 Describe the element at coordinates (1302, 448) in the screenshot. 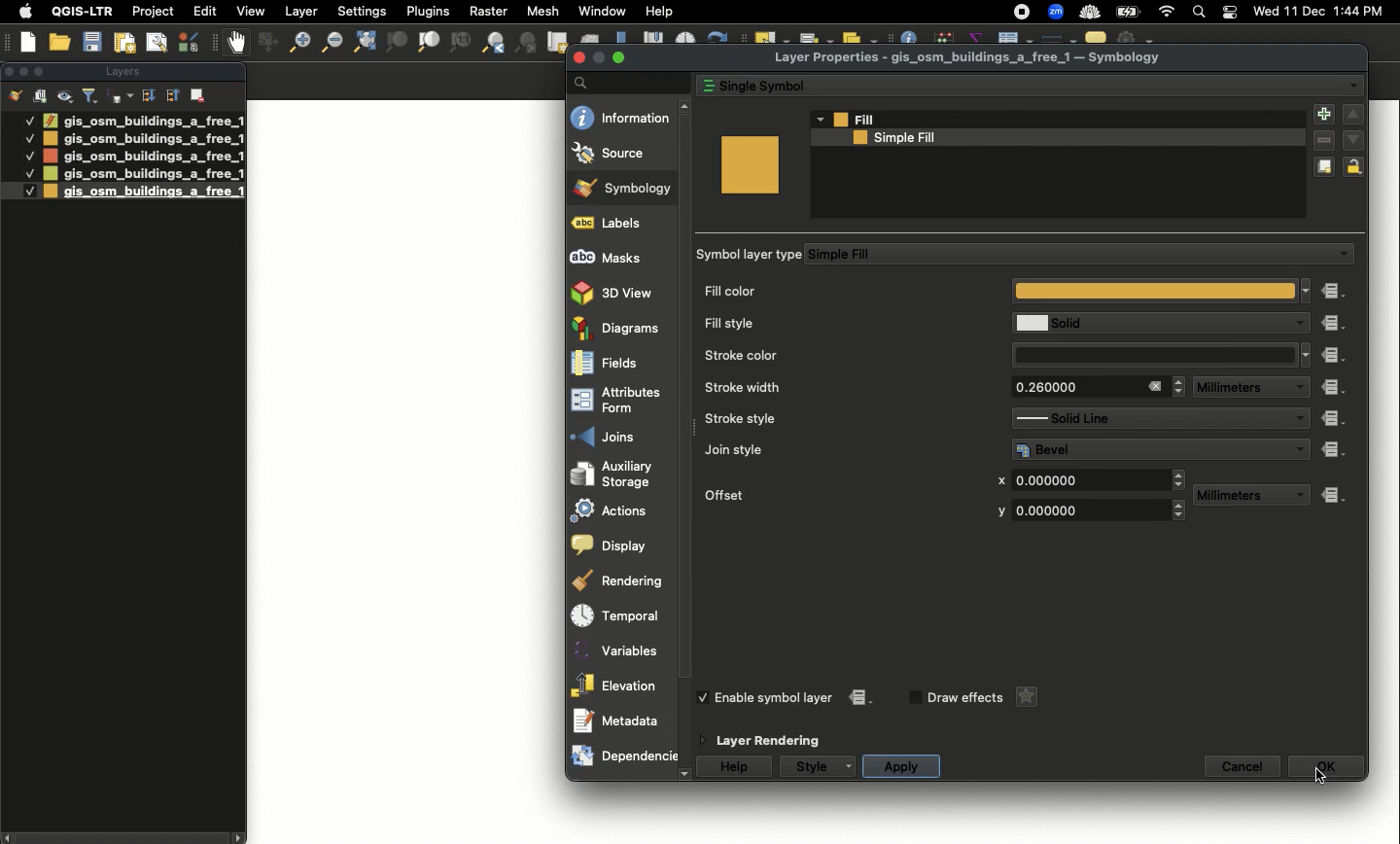

I see `Drop down` at that location.